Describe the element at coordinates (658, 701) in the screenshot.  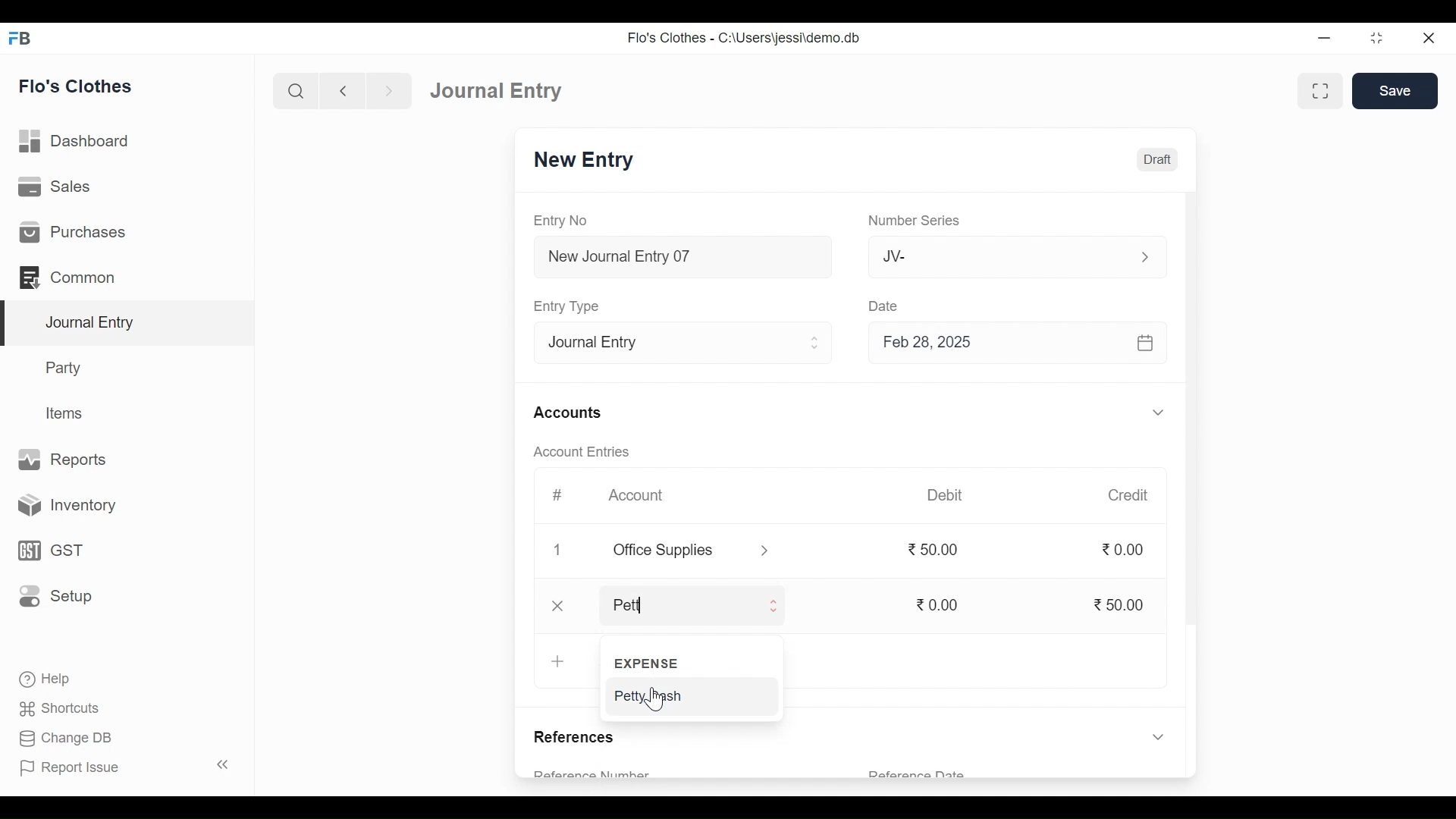
I see `Cursor` at that location.